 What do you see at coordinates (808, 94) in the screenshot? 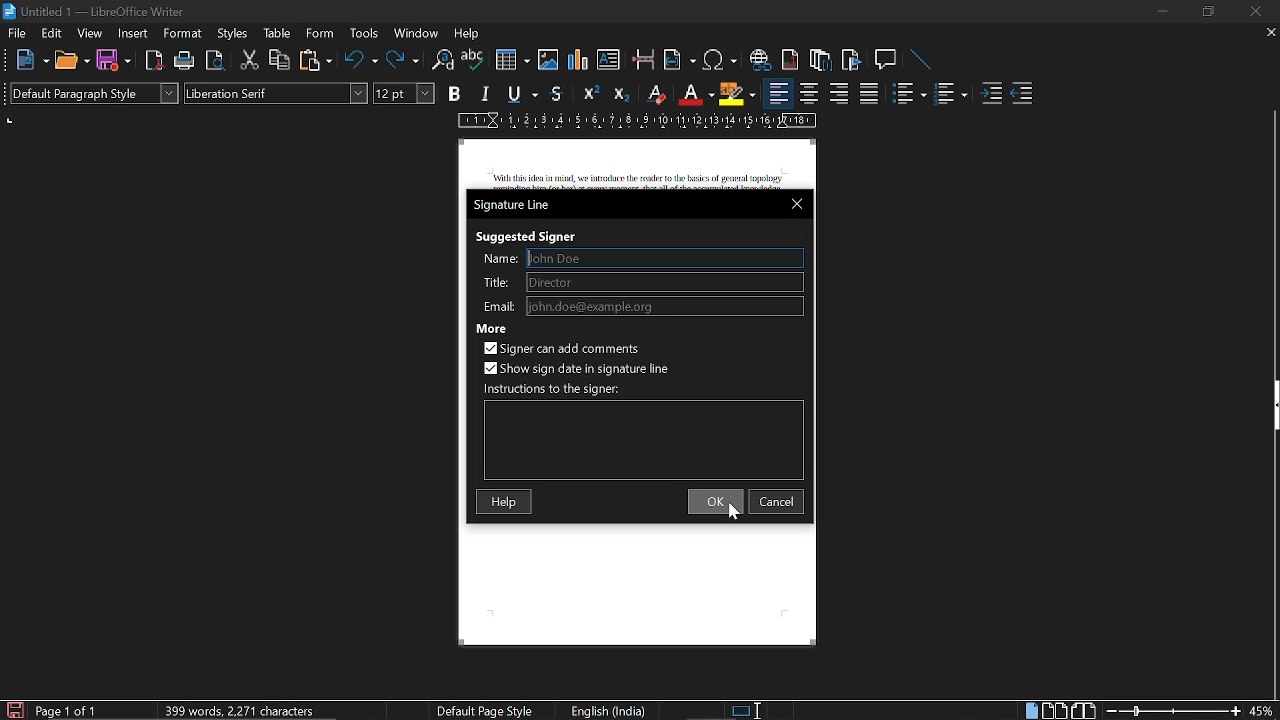
I see `center` at bounding box center [808, 94].